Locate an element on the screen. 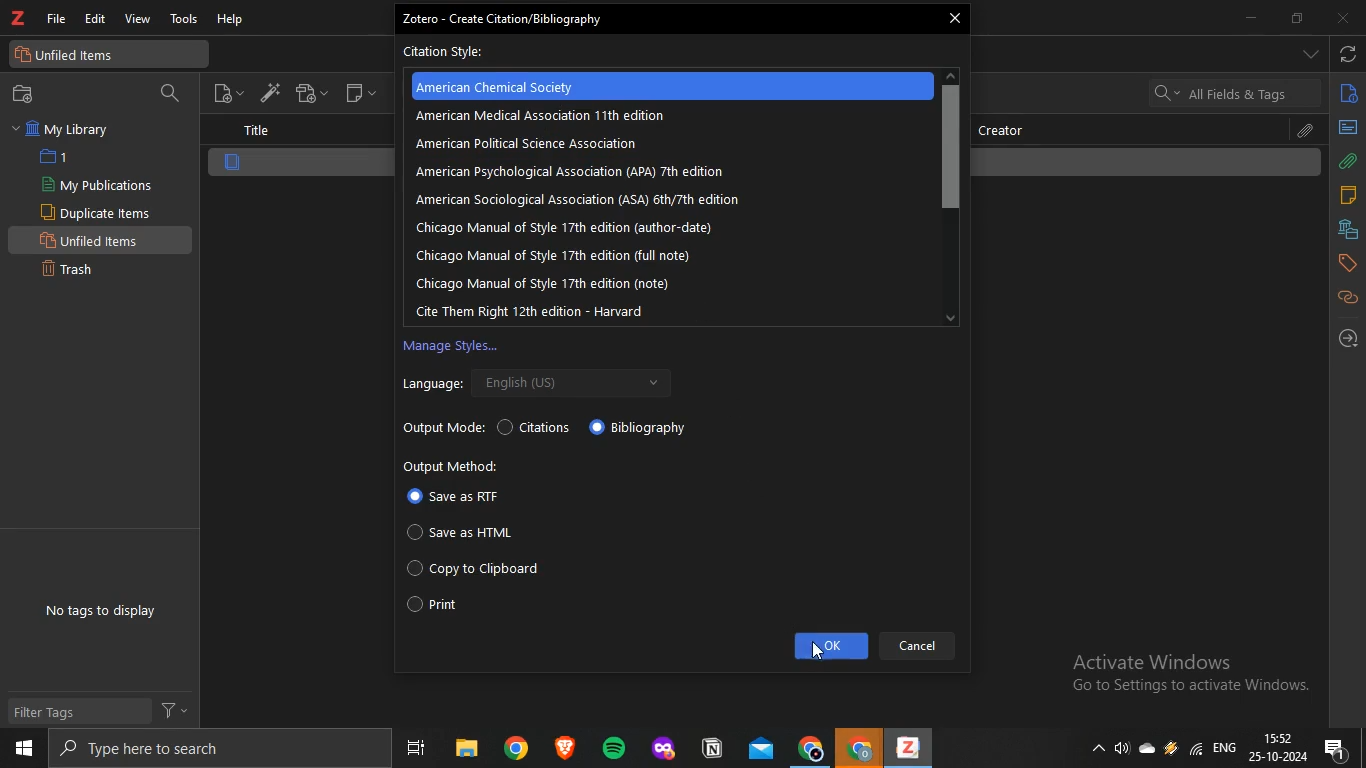 This screenshot has width=1366, height=768. My Publications is located at coordinates (96, 185).